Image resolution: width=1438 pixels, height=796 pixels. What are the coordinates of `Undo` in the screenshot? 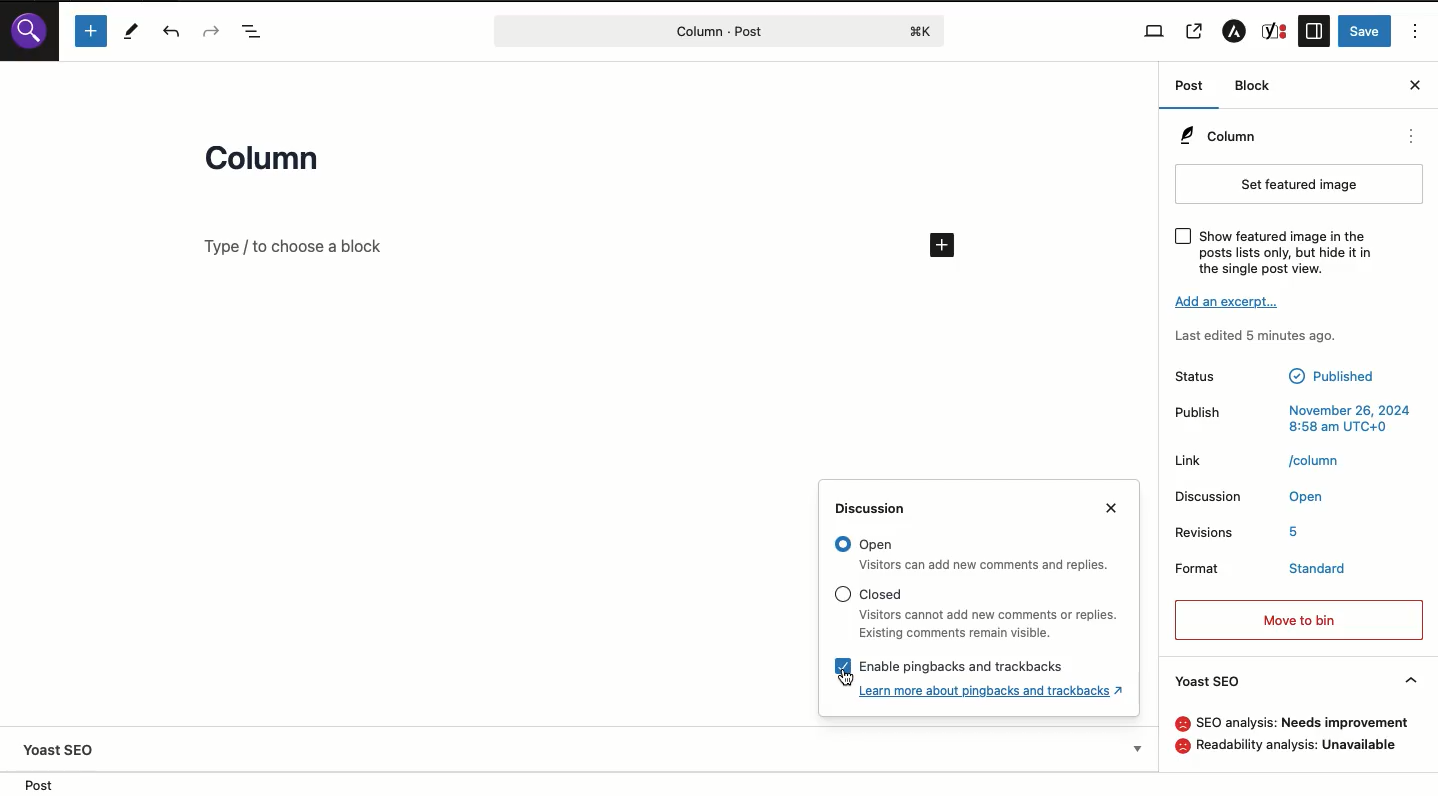 It's located at (172, 33).